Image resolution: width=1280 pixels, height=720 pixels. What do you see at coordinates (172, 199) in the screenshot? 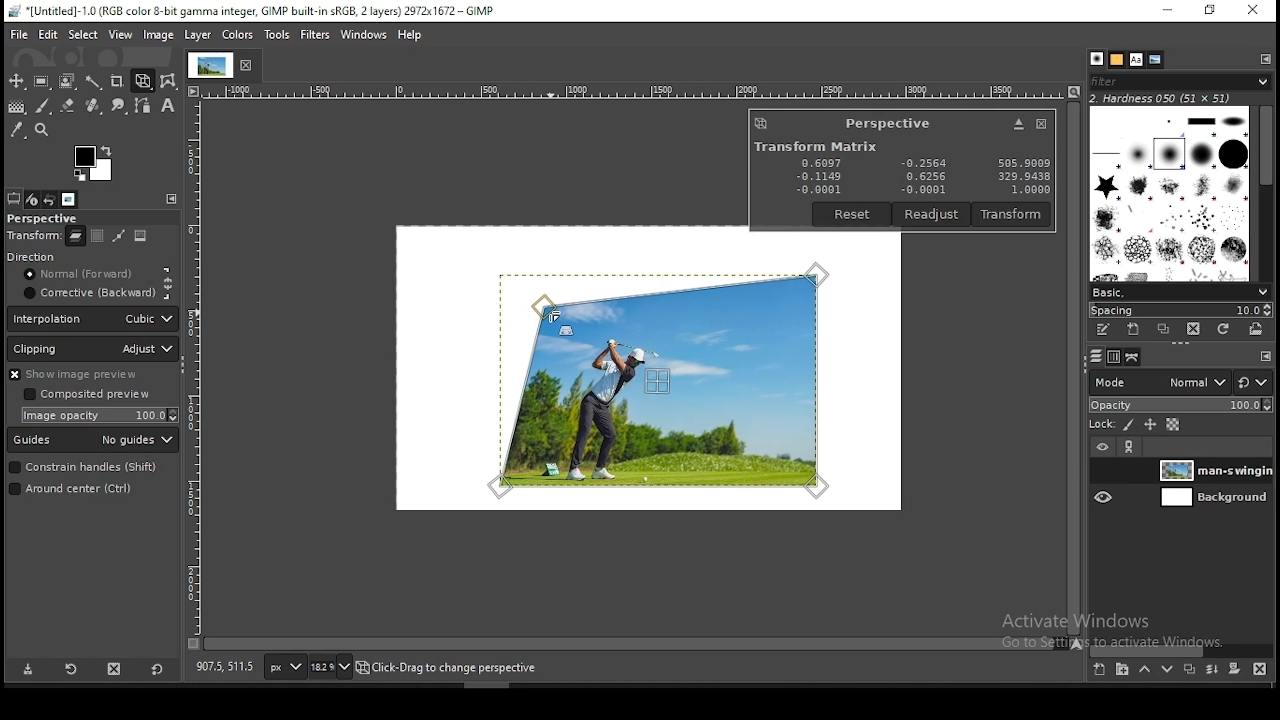
I see `configure this tab` at bounding box center [172, 199].